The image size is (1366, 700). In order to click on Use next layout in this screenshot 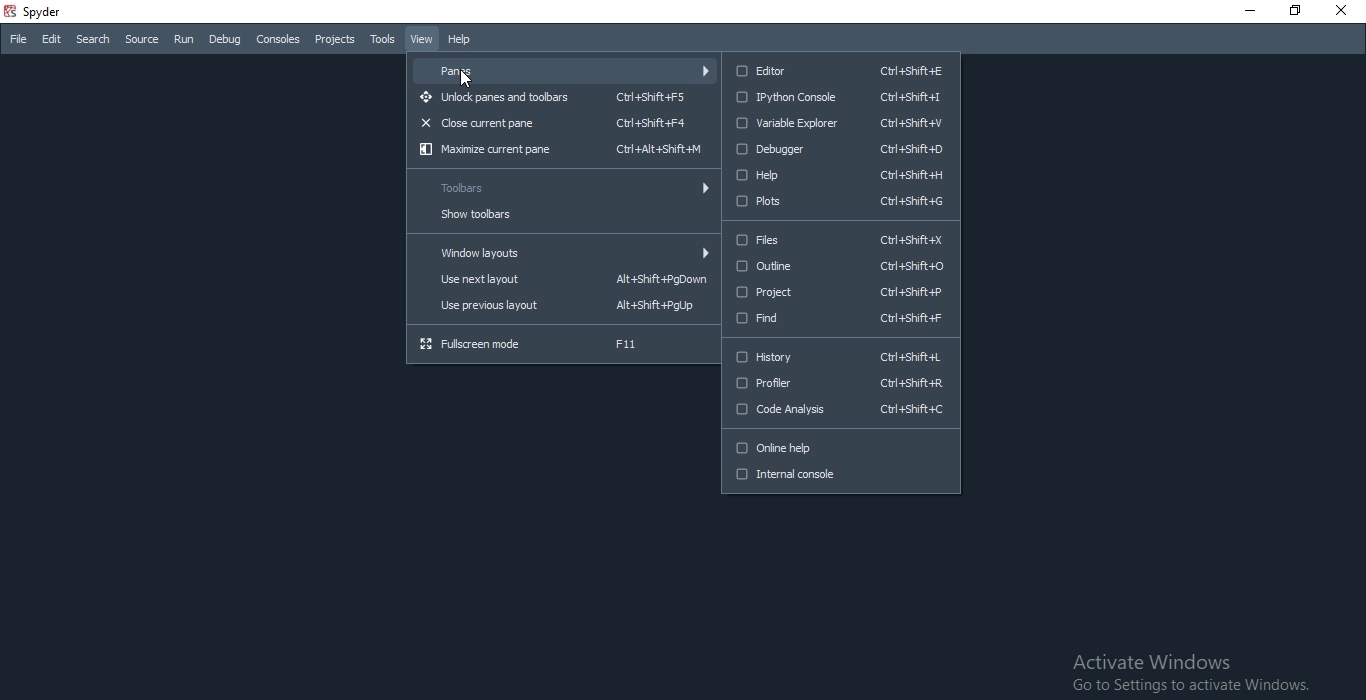, I will do `click(559, 279)`.